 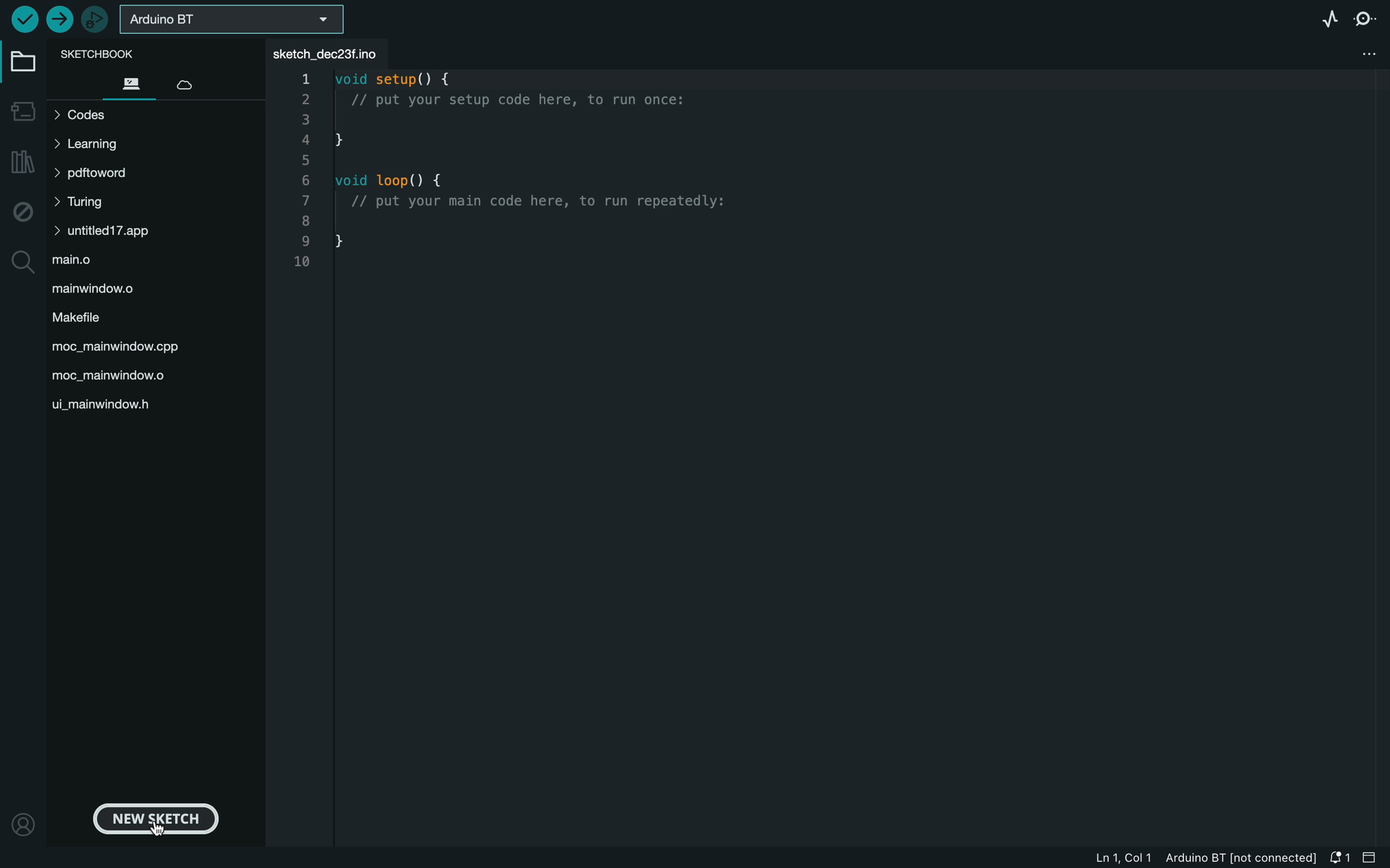 What do you see at coordinates (88, 203) in the screenshot?
I see `turning` at bounding box center [88, 203].